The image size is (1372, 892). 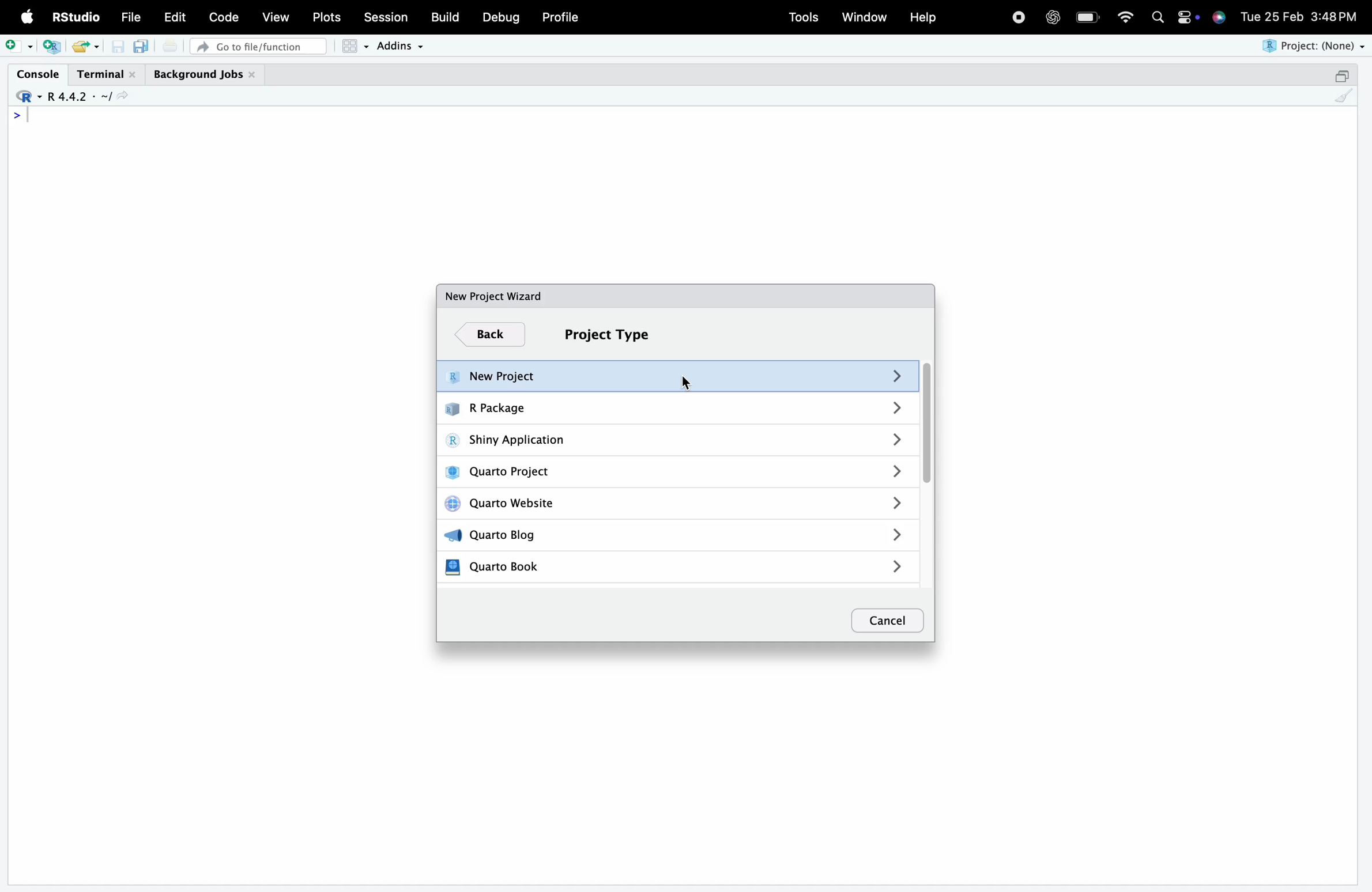 What do you see at coordinates (276, 16) in the screenshot?
I see `View` at bounding box center [276, 16].